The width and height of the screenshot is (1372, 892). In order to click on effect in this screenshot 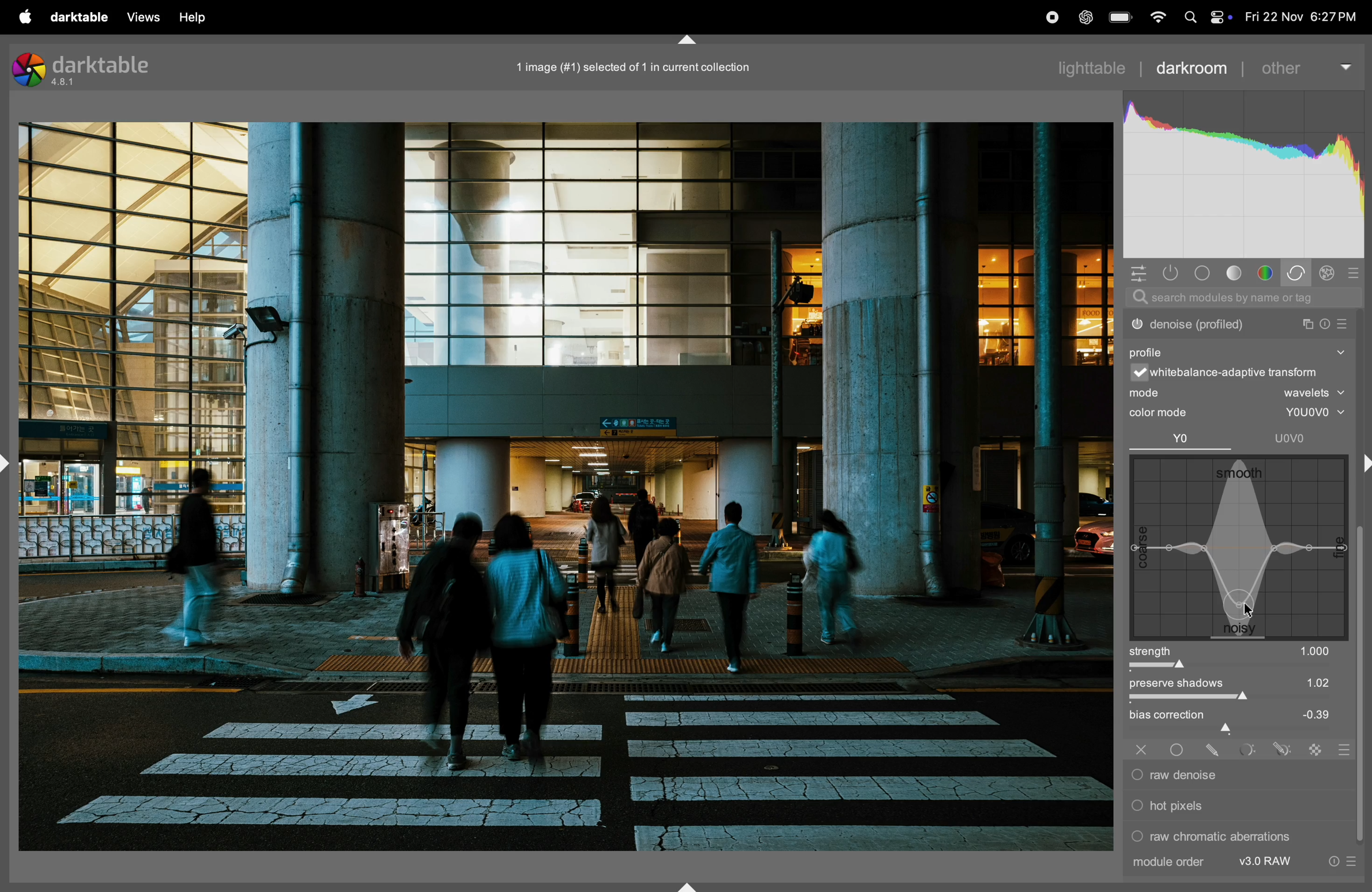, I will do `click(1328, 274)`.